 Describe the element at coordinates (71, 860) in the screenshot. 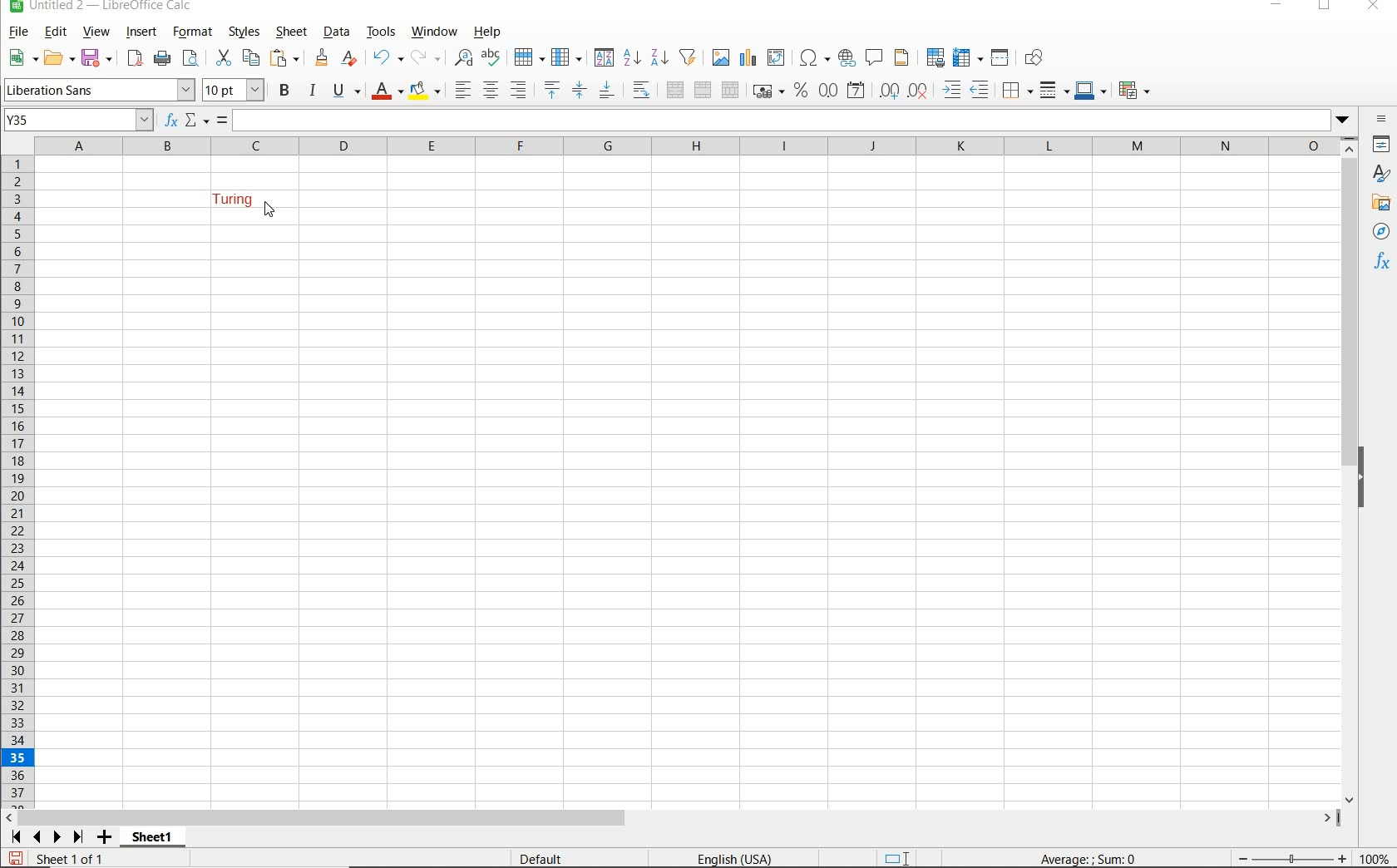

I see `SHEET 1 OF 1` at that location.